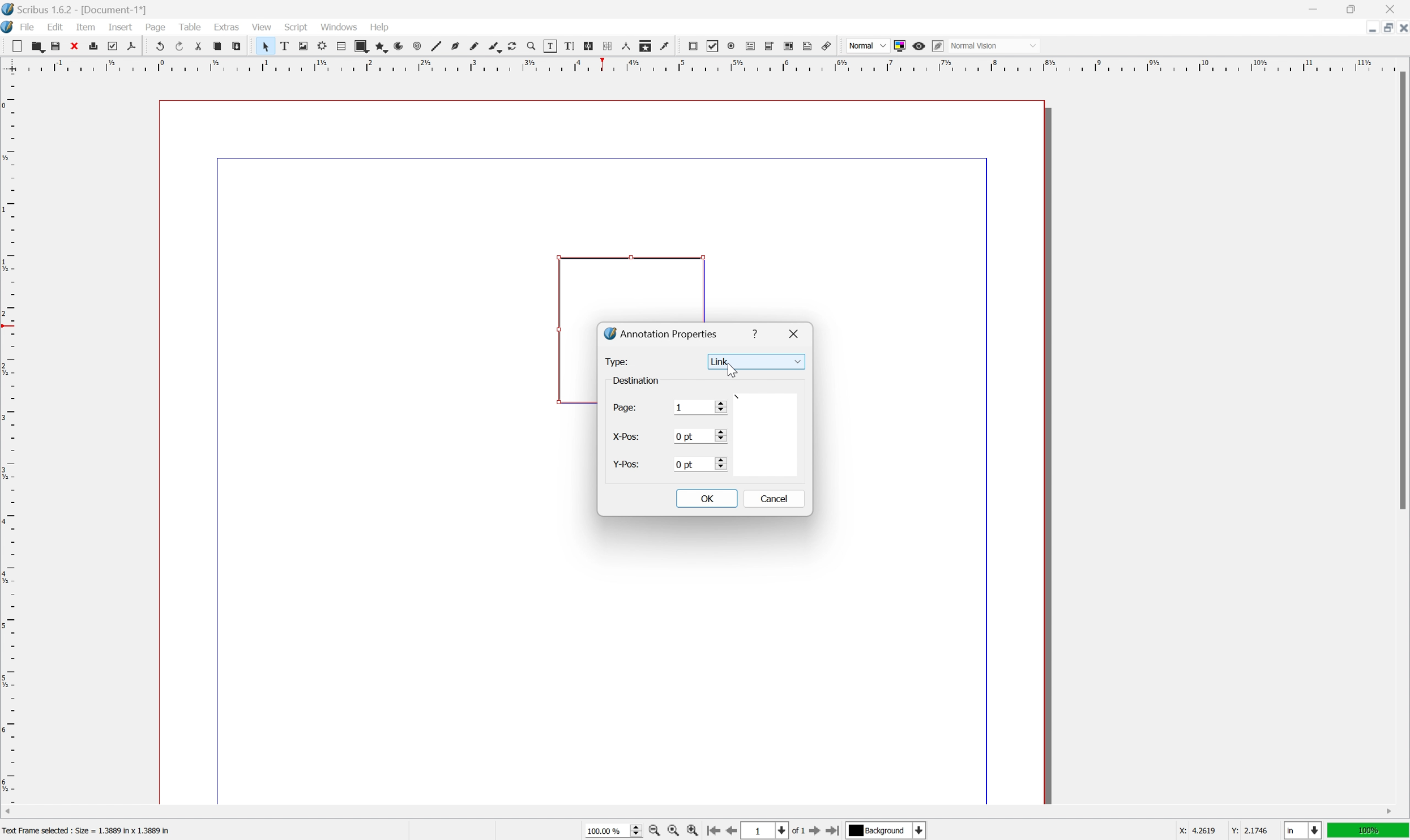 The width and height of the screenshot is (1410, 840). What do you see at coordinates (9, 438) in the screenshot?
I see `ruler` at bounding box center [9, 438].